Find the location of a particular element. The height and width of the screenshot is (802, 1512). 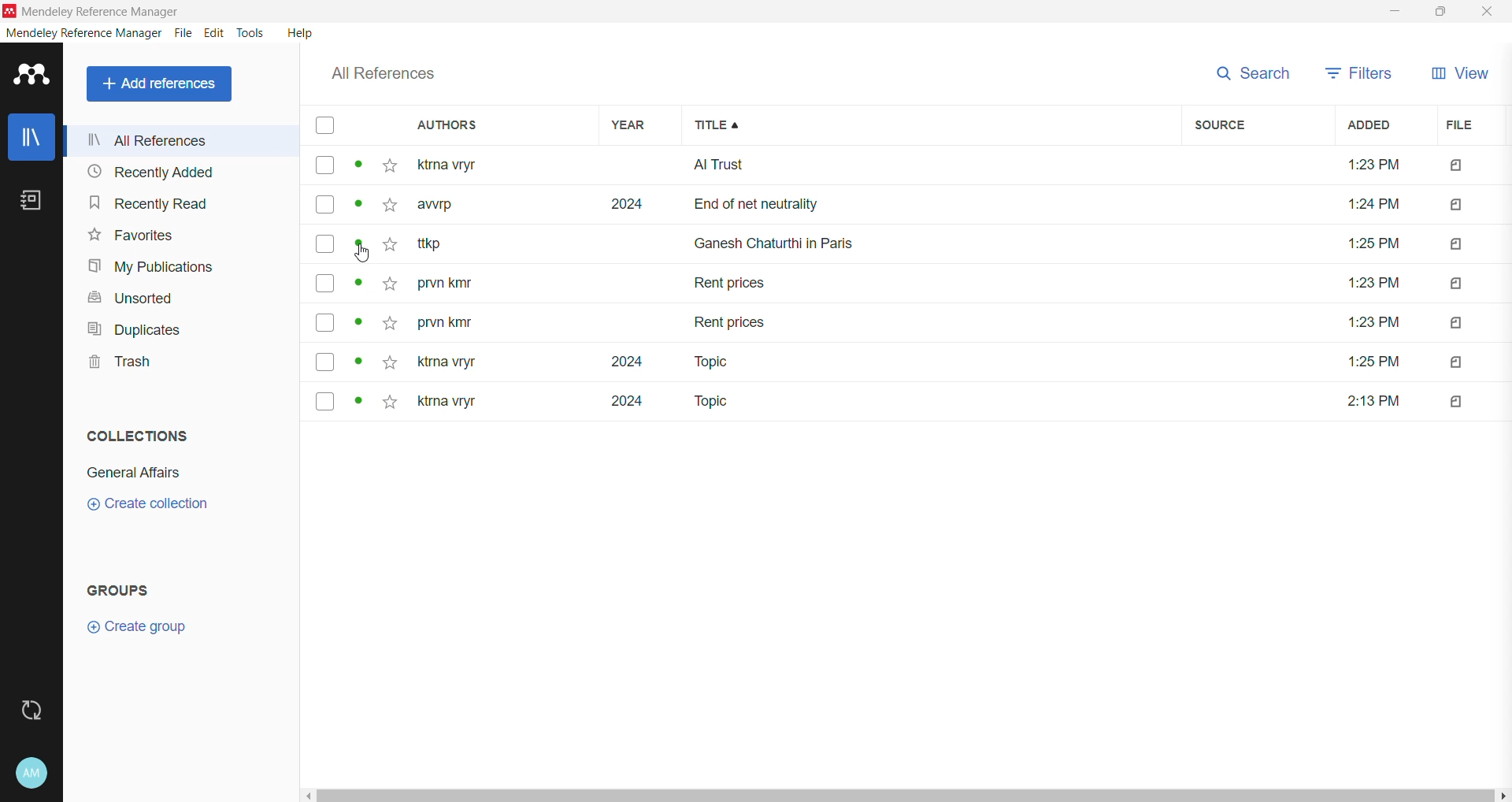

Author names of the references in the Library is located at coordinates (503, 283).